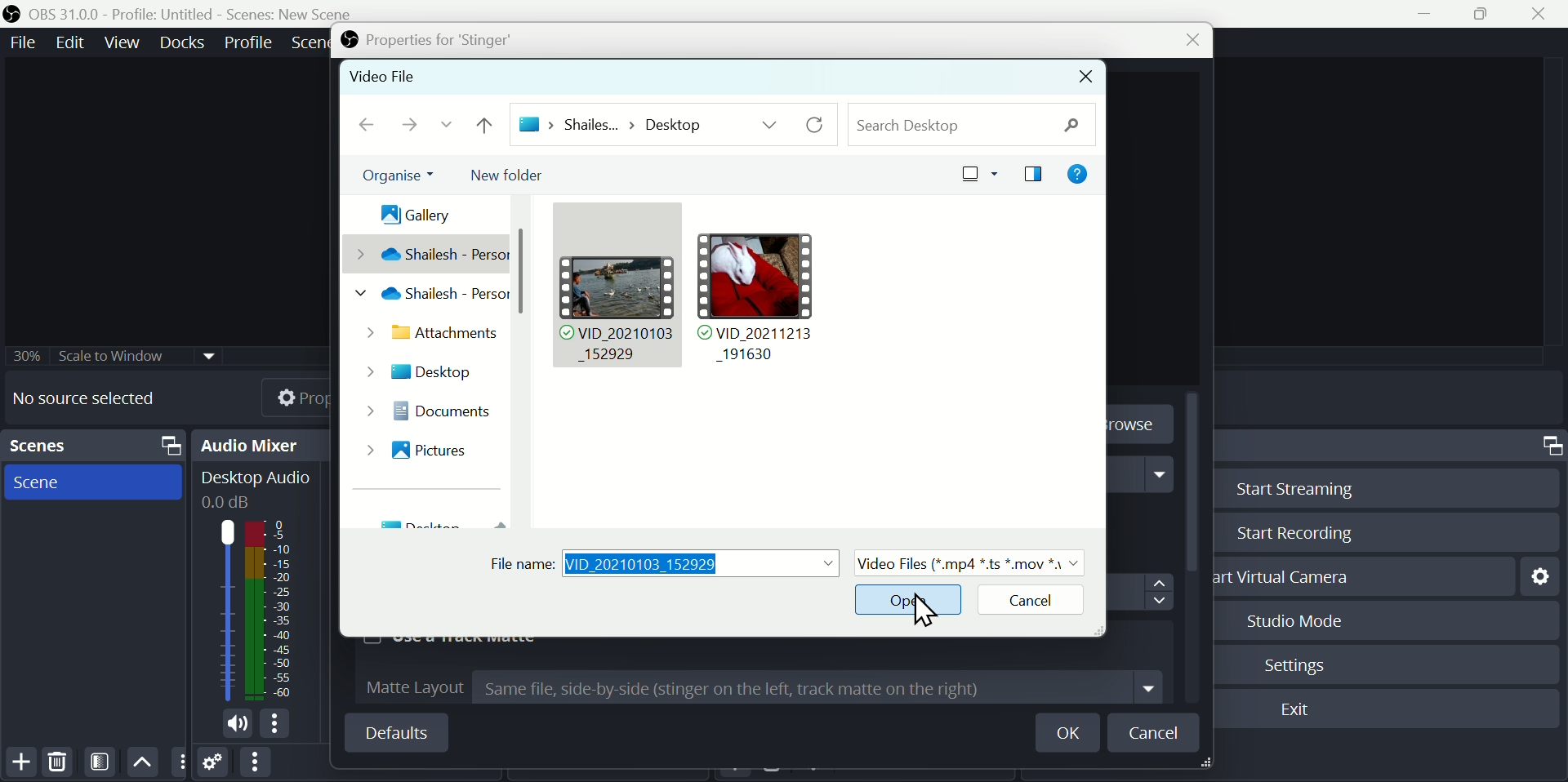 The width and height of the screenshot is (1568, 782). I want to click on volume, so click(233, 725).